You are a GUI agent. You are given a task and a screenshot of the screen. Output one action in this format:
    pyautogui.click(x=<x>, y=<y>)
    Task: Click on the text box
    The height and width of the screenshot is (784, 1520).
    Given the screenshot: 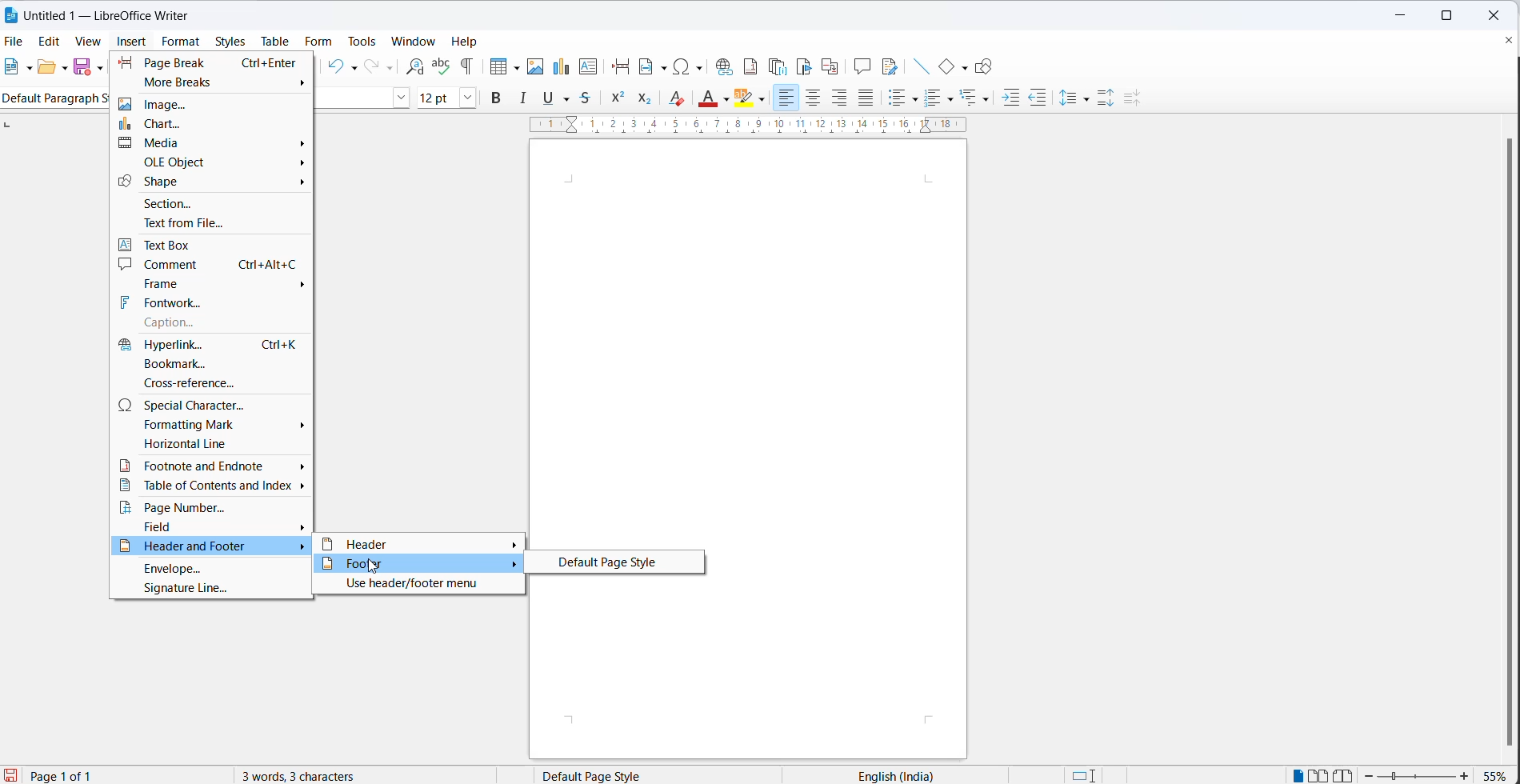 What is the action you would take?
    pyautogui.click(x=208, y=246)
    